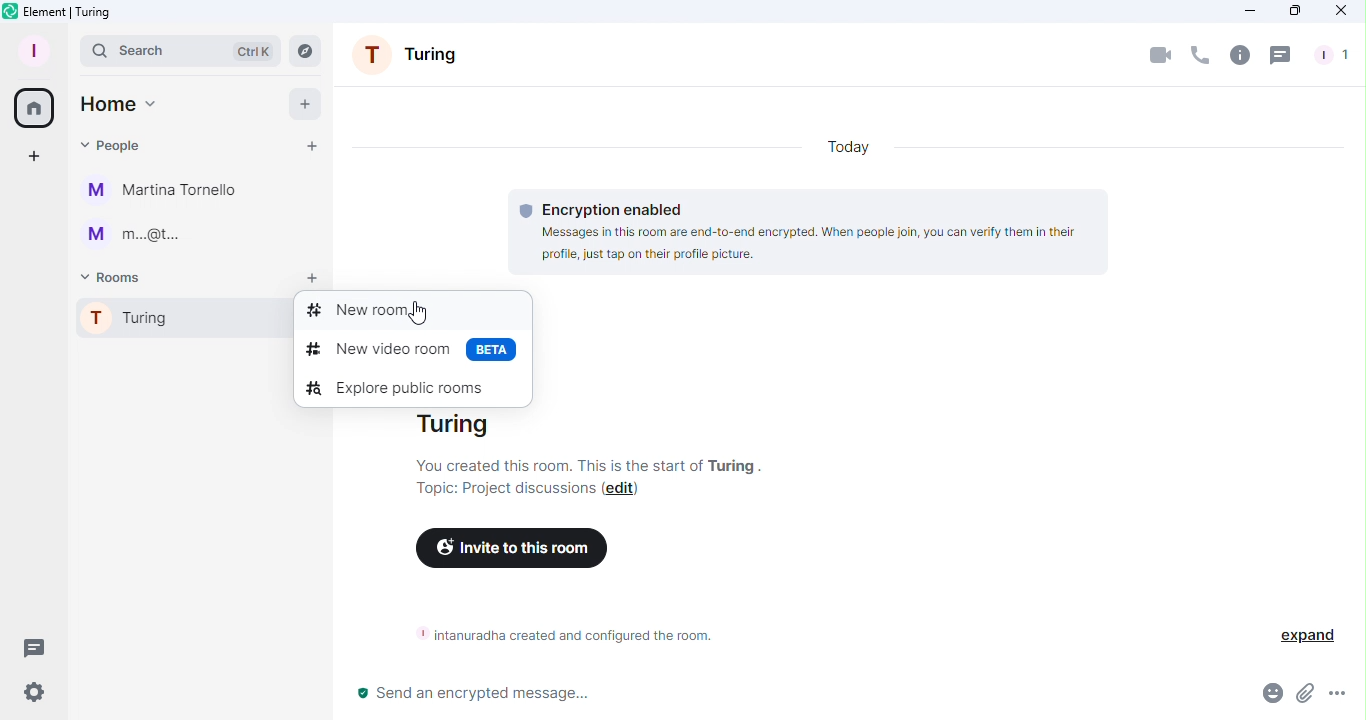 The height and width of the screenshot is (720, 1366). I want to click on Element icon, so click(69, 12).